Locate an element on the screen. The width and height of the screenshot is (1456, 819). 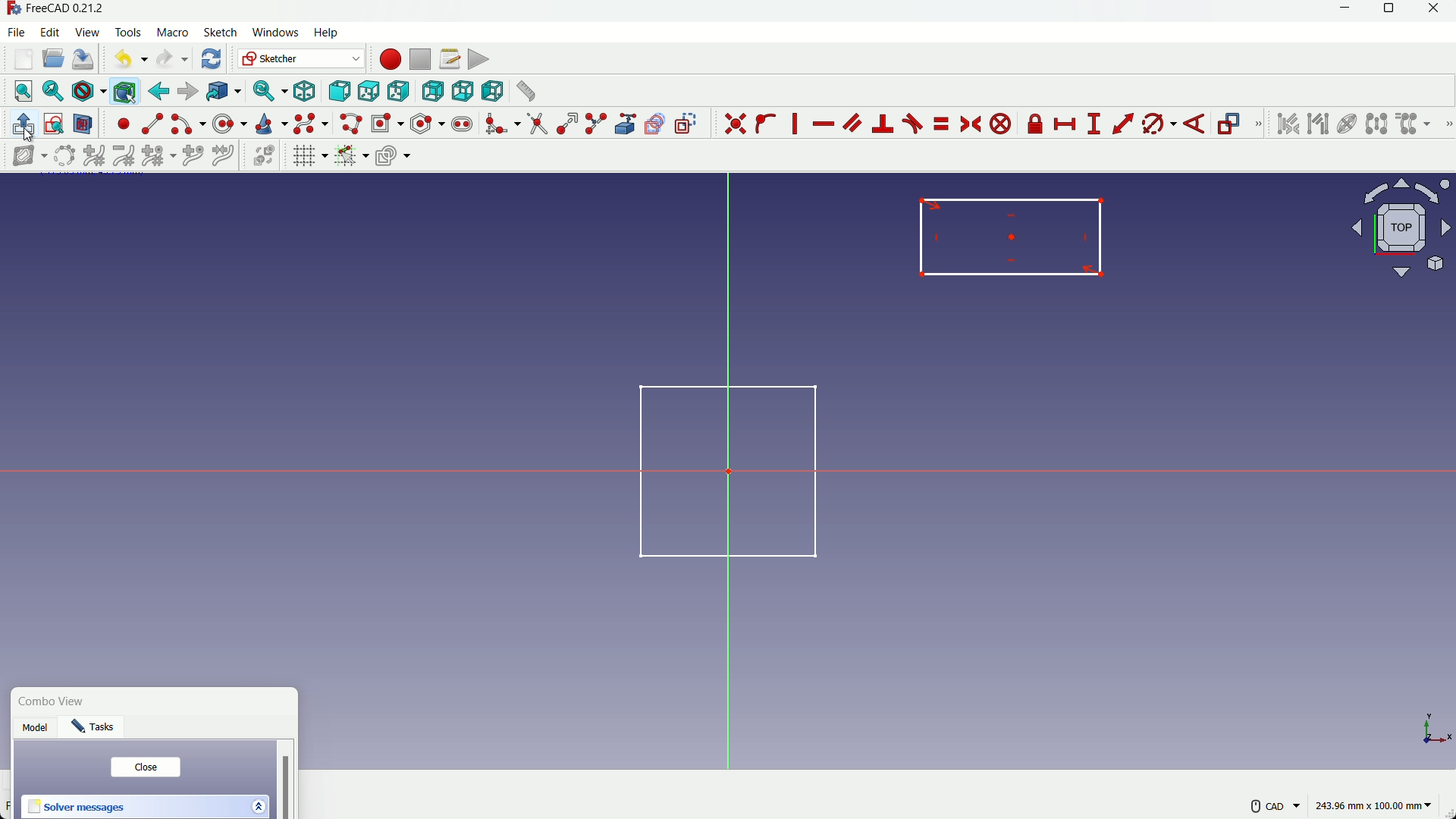
minimize is located at coordinates (1341, 11).